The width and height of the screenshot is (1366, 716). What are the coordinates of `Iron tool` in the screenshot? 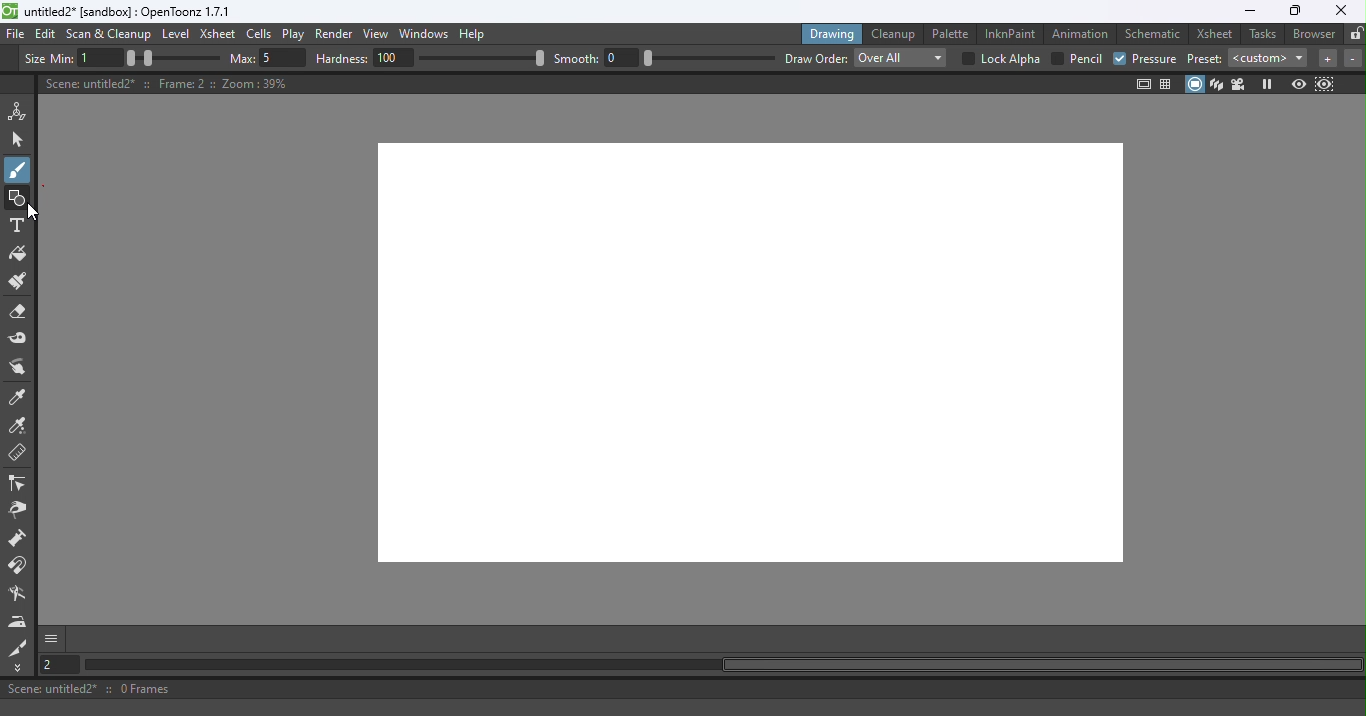 It's located at (20, 621).